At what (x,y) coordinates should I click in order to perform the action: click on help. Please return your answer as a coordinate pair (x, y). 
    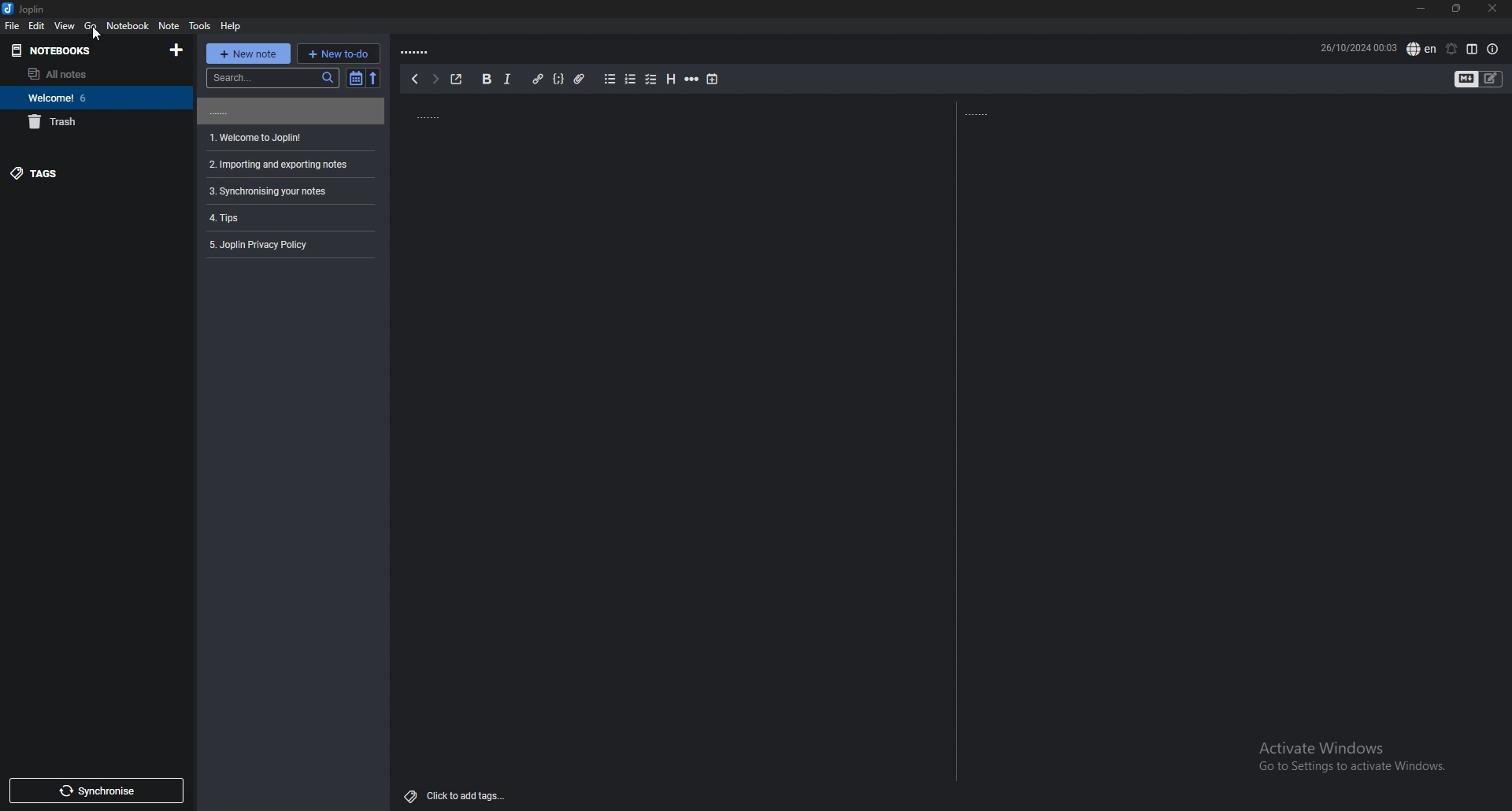
    Looking at the image, I should click on (233, 25).